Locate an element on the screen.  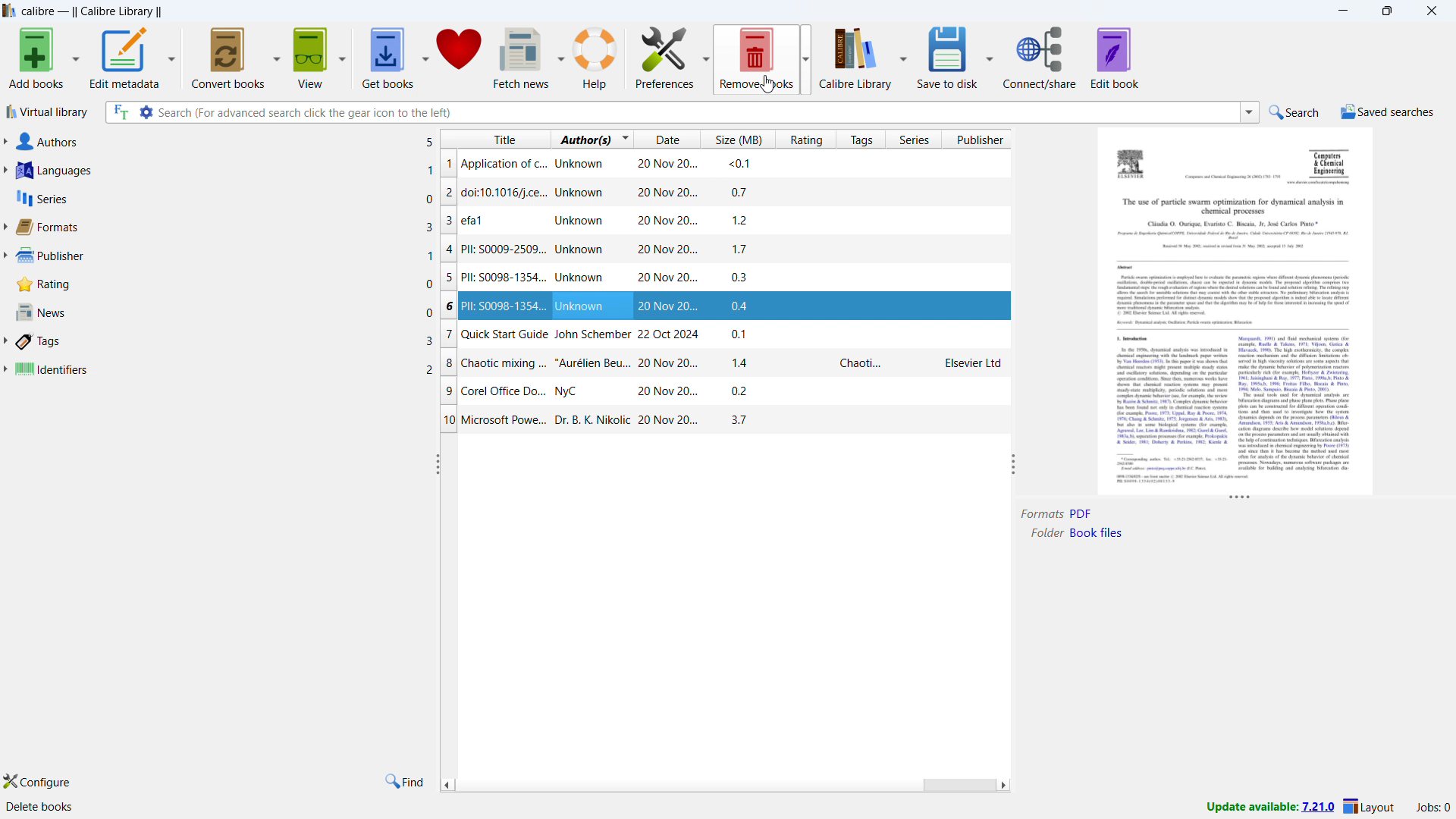
formats is located at coordinates (219, 226).